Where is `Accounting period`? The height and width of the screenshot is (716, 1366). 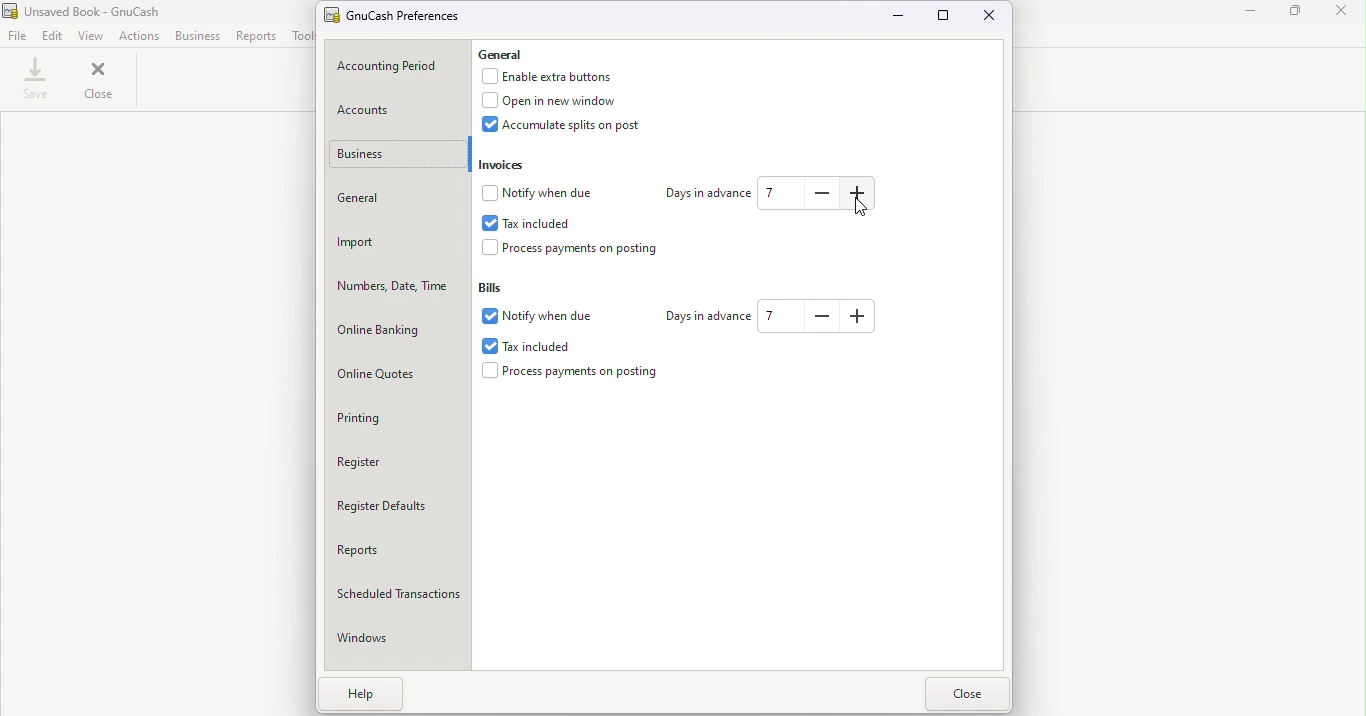 Accounting period is located at coordinates (399, 66).